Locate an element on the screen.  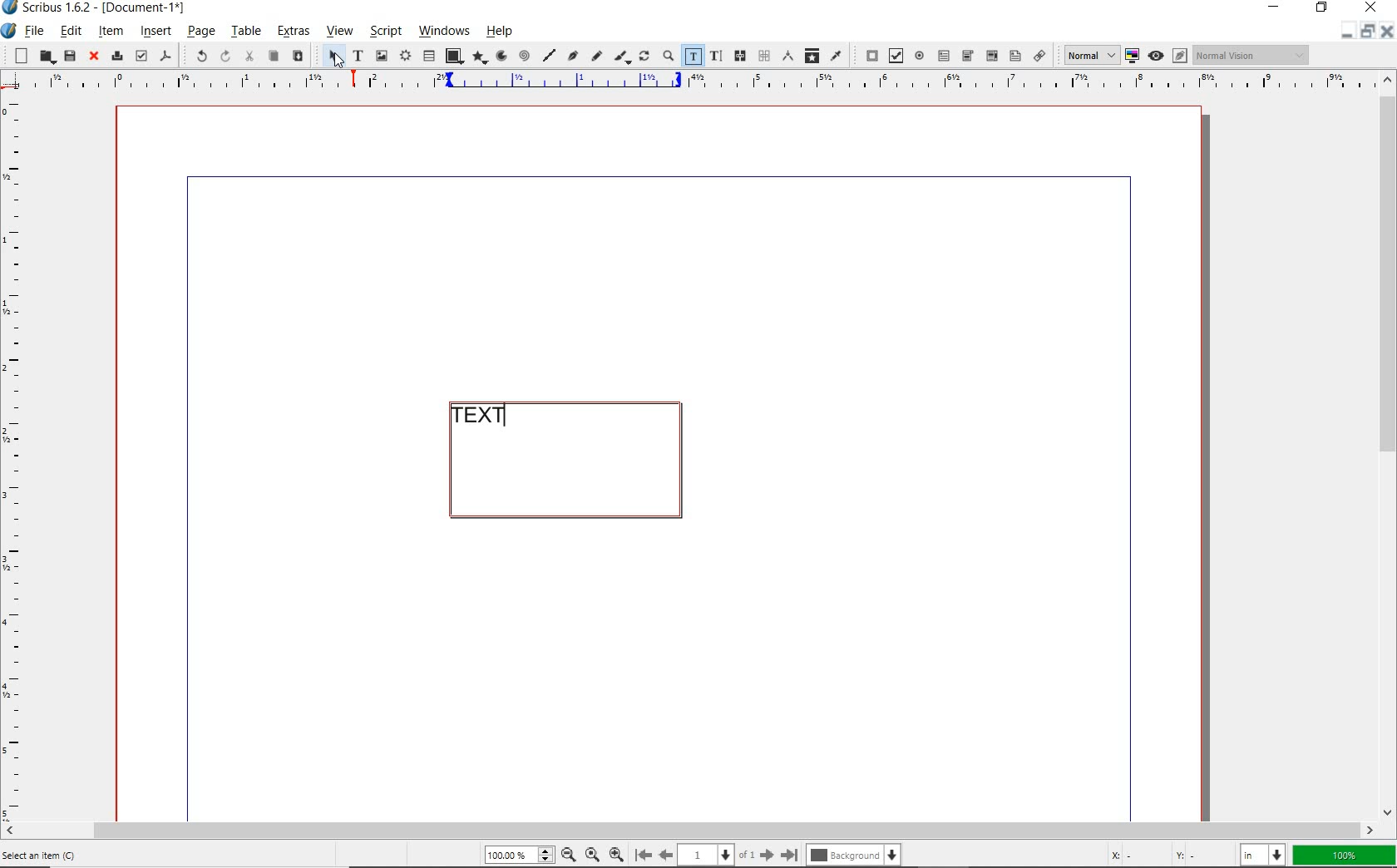
view is located at coordinates (342, 32).